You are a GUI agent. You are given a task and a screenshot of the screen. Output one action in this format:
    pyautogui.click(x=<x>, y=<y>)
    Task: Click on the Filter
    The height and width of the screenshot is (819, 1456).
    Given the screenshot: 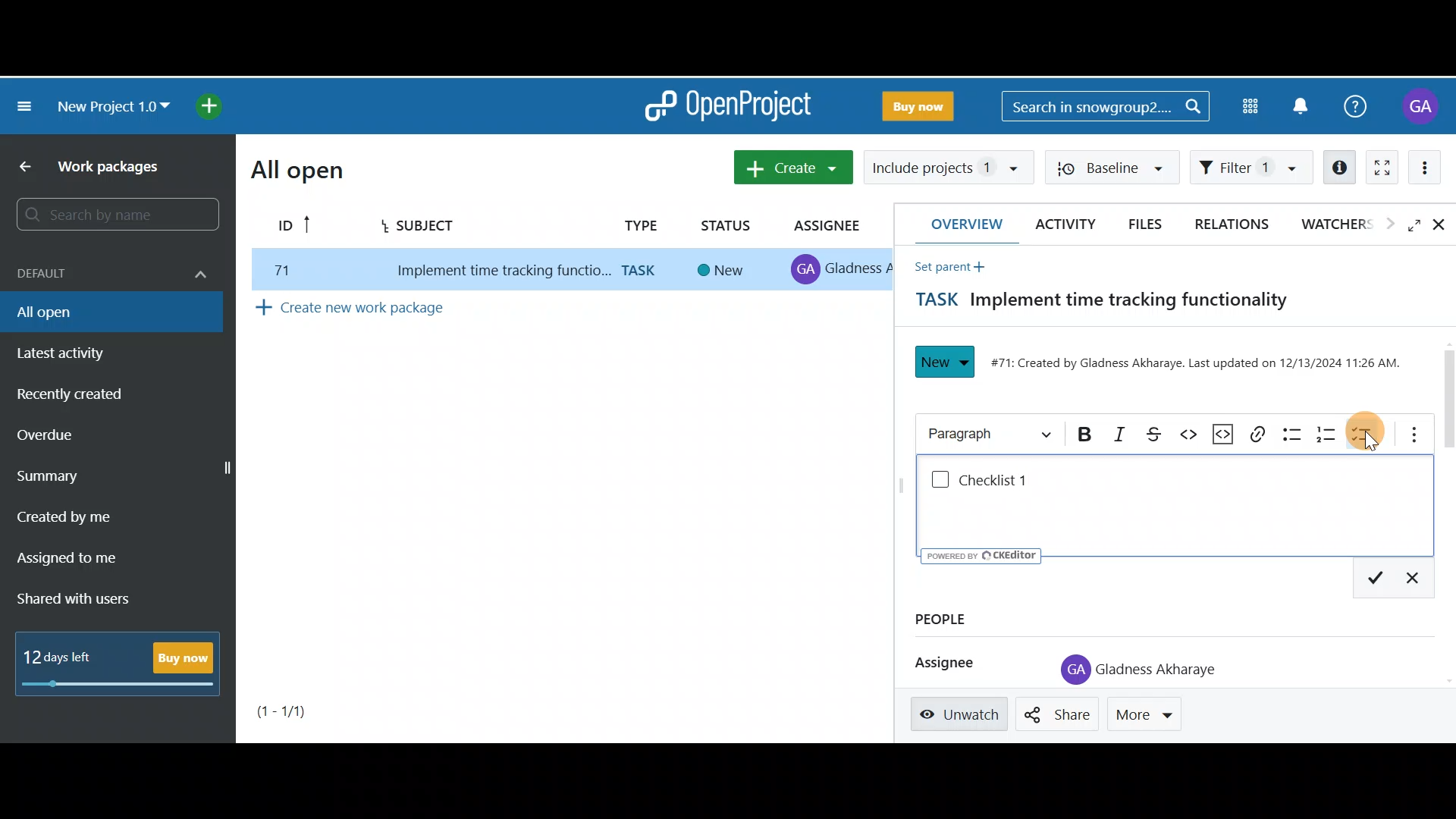 What is the action you would take?
    pyautogui.click(x=1254, y=168)
    